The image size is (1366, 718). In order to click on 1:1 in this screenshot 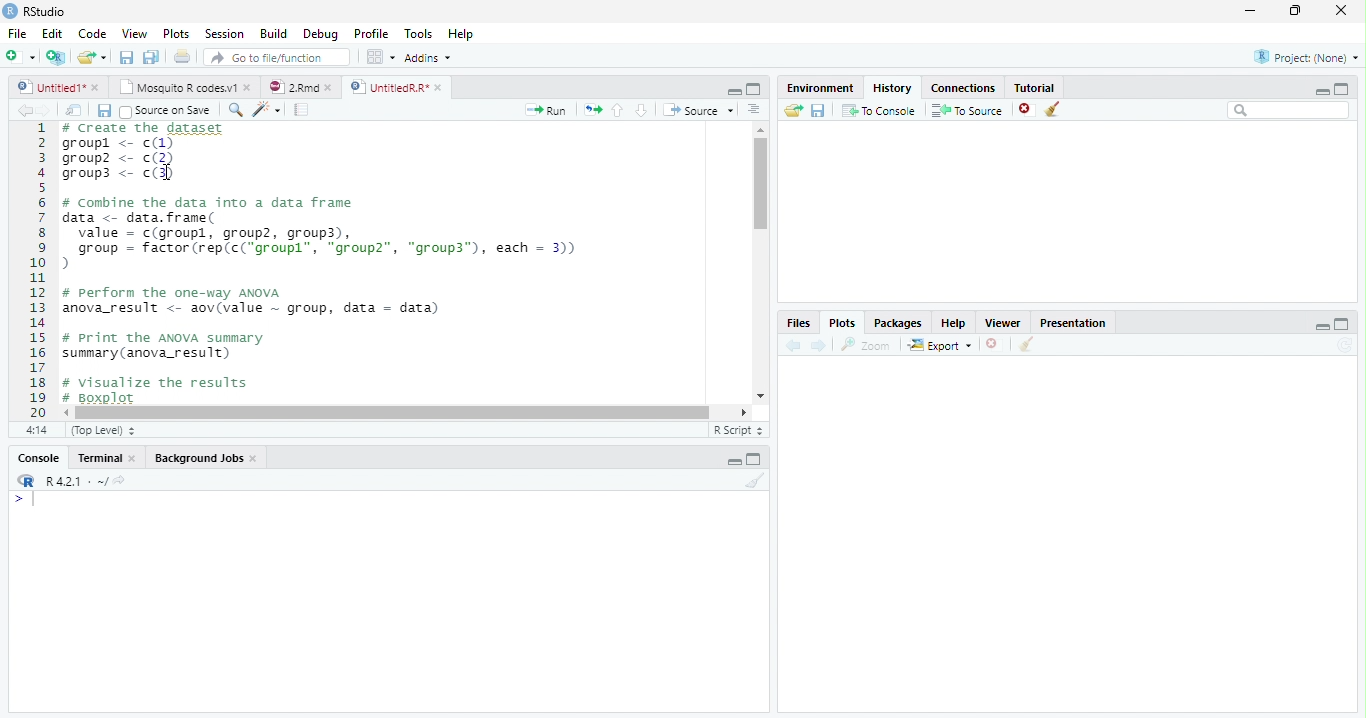, I will do `click(34, 430)`.